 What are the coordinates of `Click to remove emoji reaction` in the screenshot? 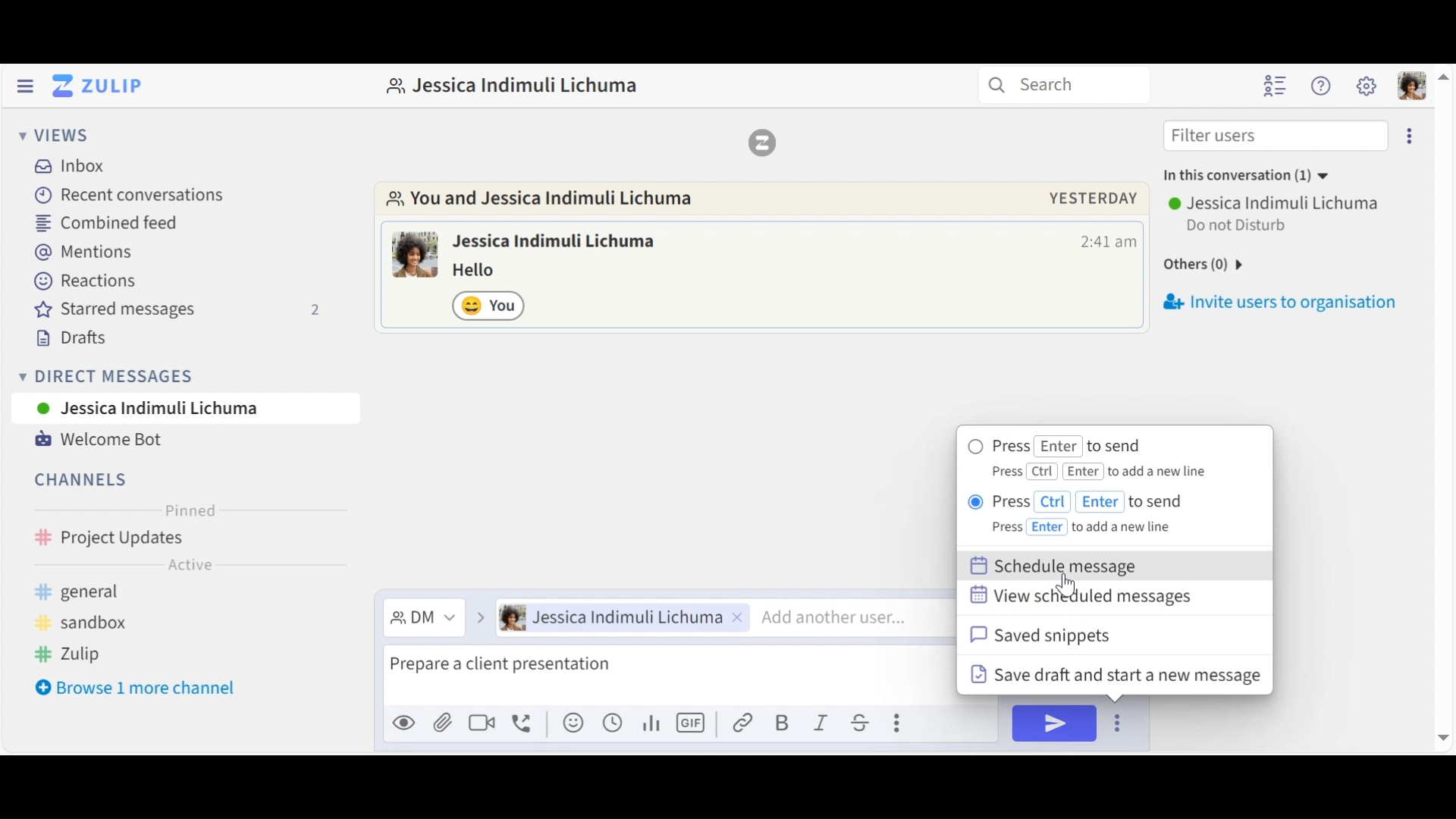 It's located at (491, 305).